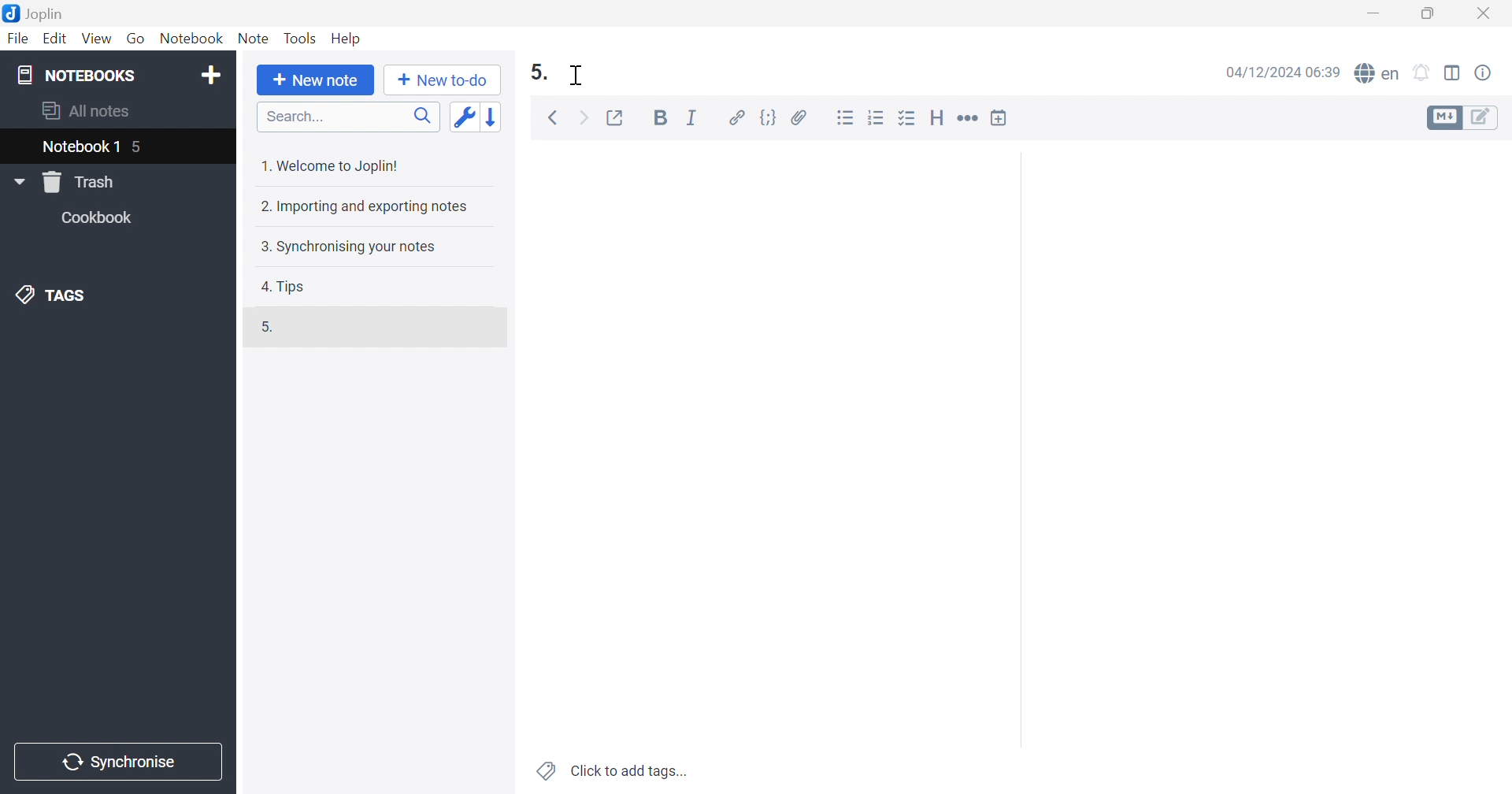 This screenshot has width=1512, height=794. I want to click on 4. Tips, so click(286, 287).